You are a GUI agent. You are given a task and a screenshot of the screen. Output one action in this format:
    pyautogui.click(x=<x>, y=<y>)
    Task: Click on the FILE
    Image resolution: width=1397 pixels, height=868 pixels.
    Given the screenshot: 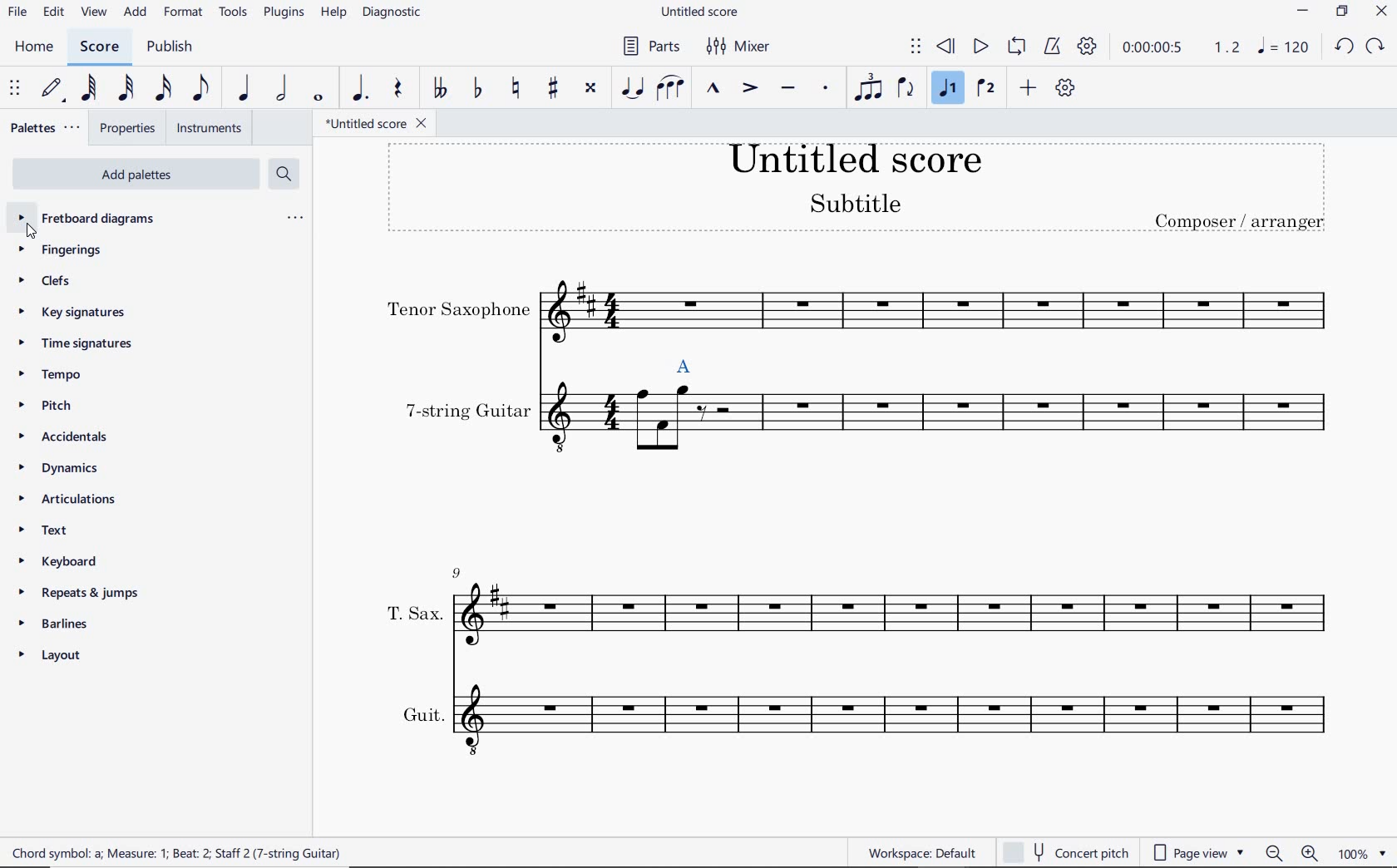 What is the action you would take?
    pyautogui.click(x=17, y=13)
    